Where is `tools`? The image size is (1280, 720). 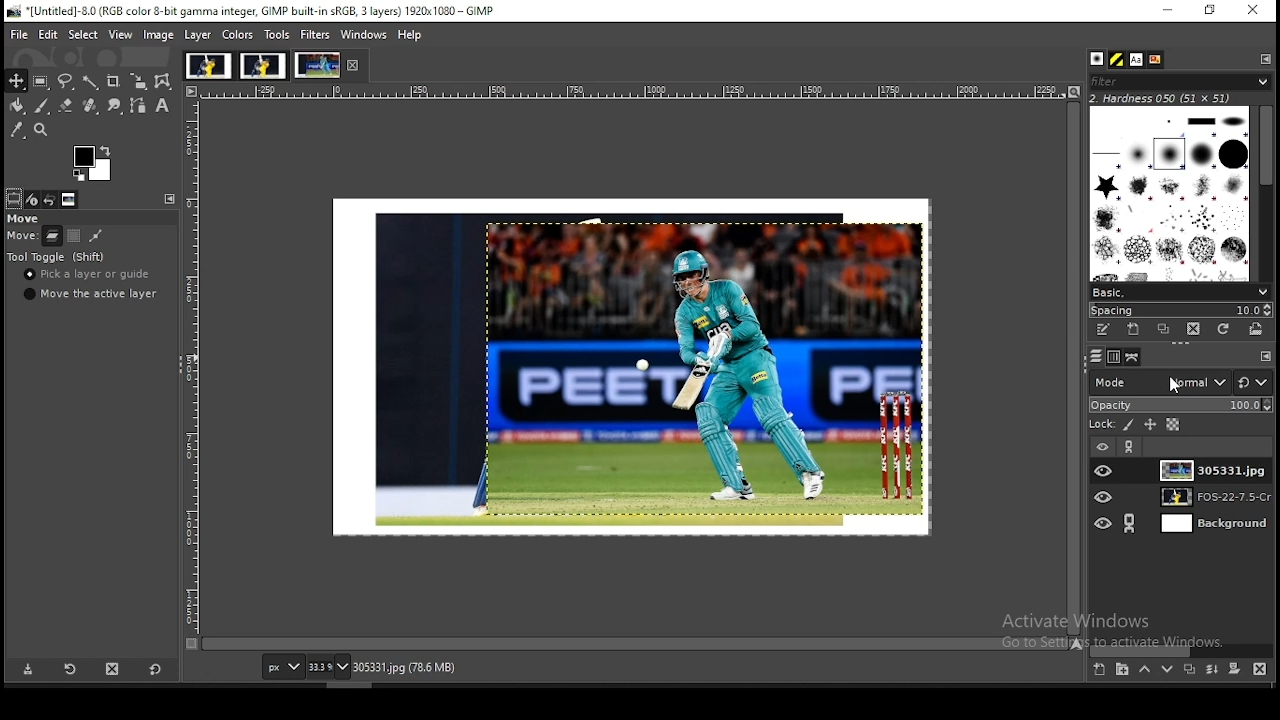 tools is located at coordinates (278, 34).